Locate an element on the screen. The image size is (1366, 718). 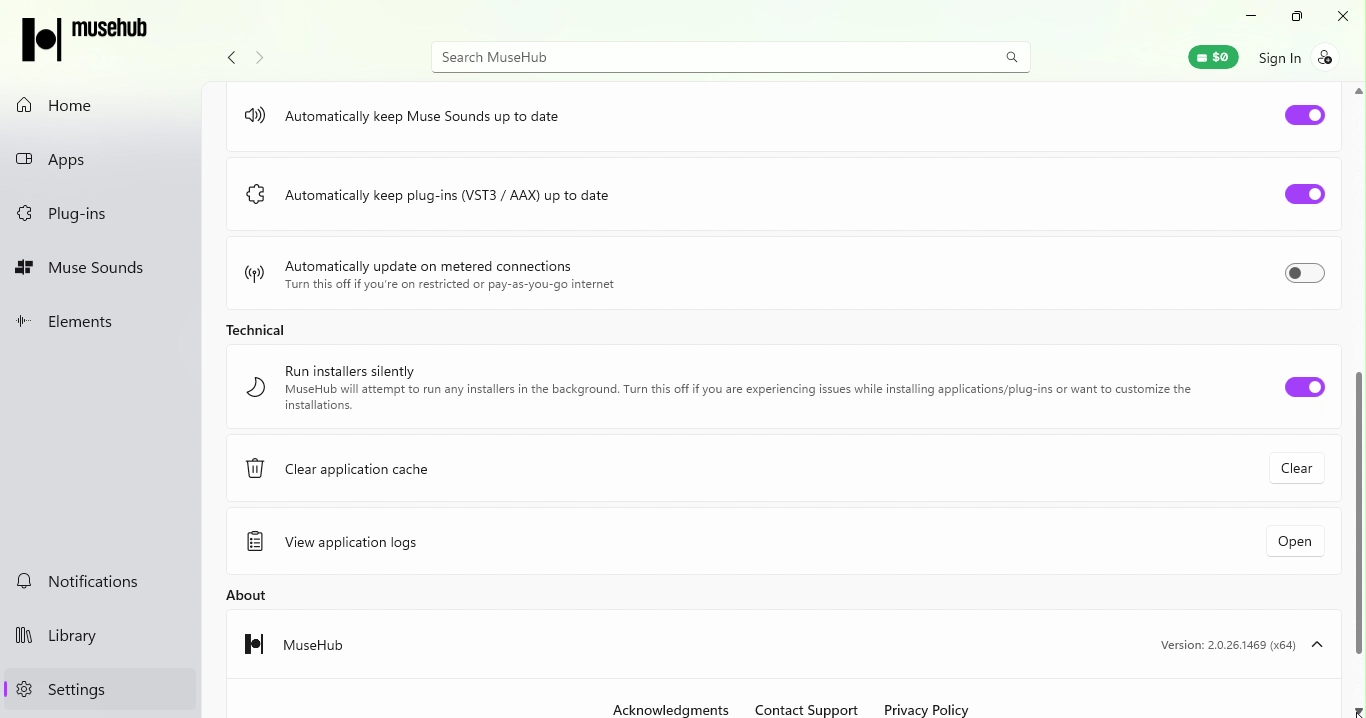
Toggle Automatically keep plug-ins (VST3/AAX) up to date is located at coordinates (1295, 190).